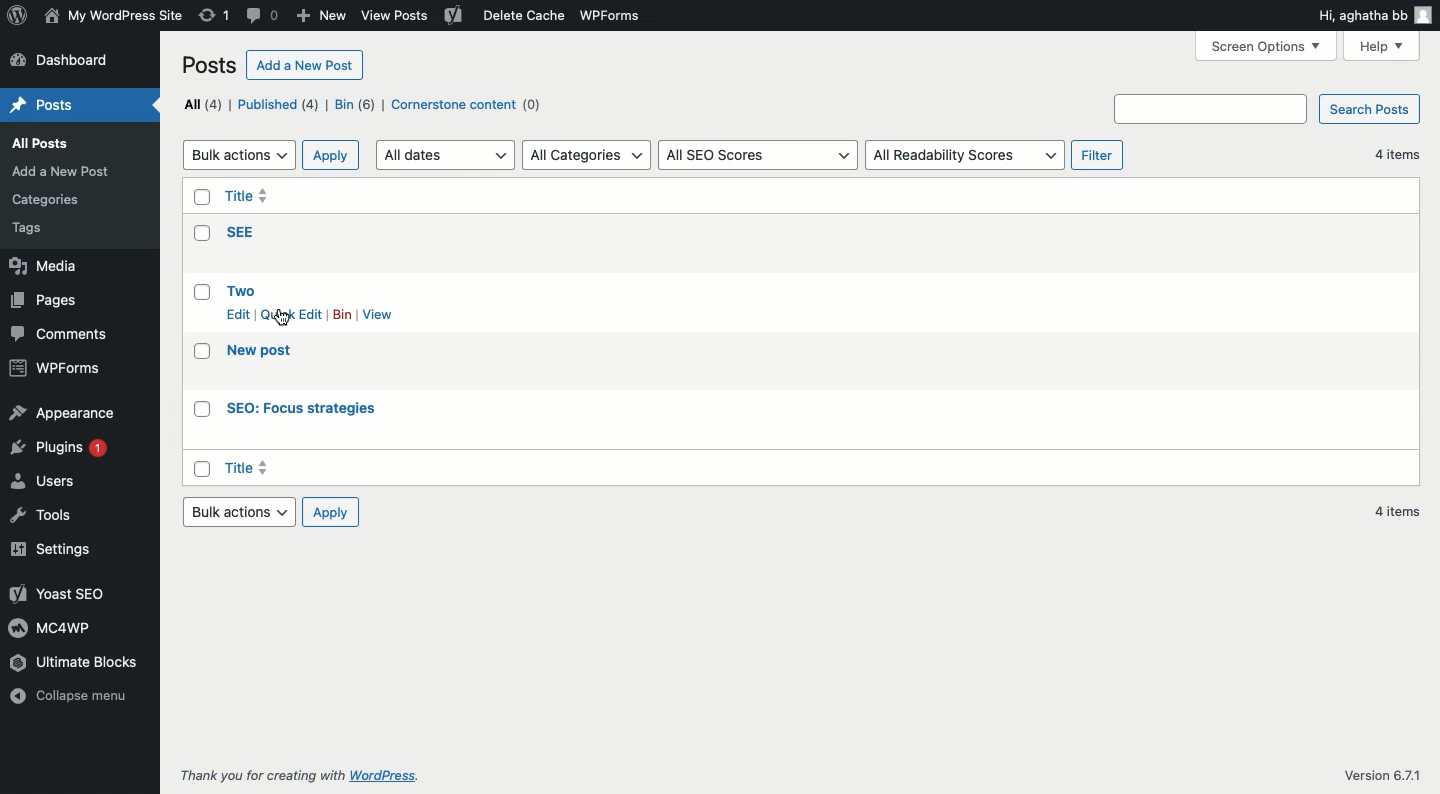 This screenshot has width=1440, height=794. What do you see at coordinates (1384, 45) in the screenshot?
I see `Help` at bounding box center [1384, 45].